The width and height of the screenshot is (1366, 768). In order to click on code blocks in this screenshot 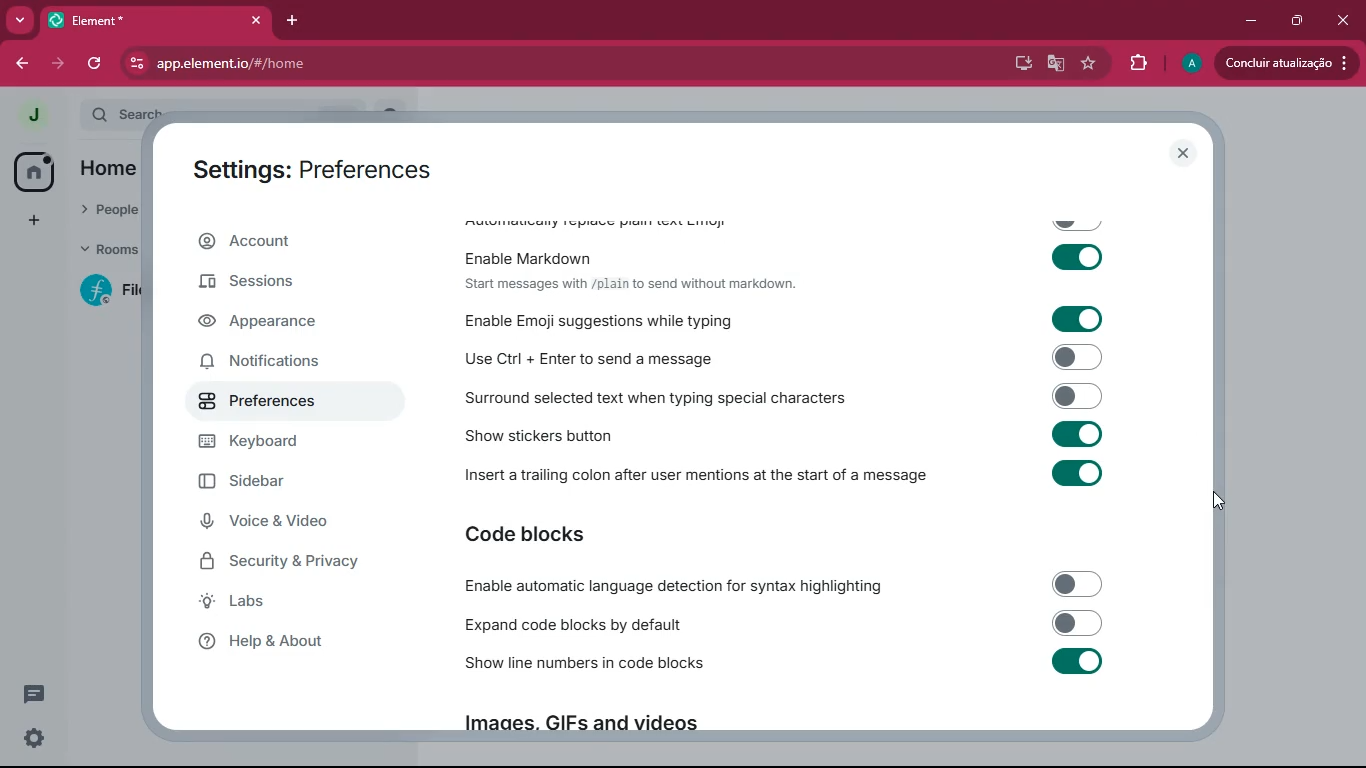, I will do `click(544, 535)`.